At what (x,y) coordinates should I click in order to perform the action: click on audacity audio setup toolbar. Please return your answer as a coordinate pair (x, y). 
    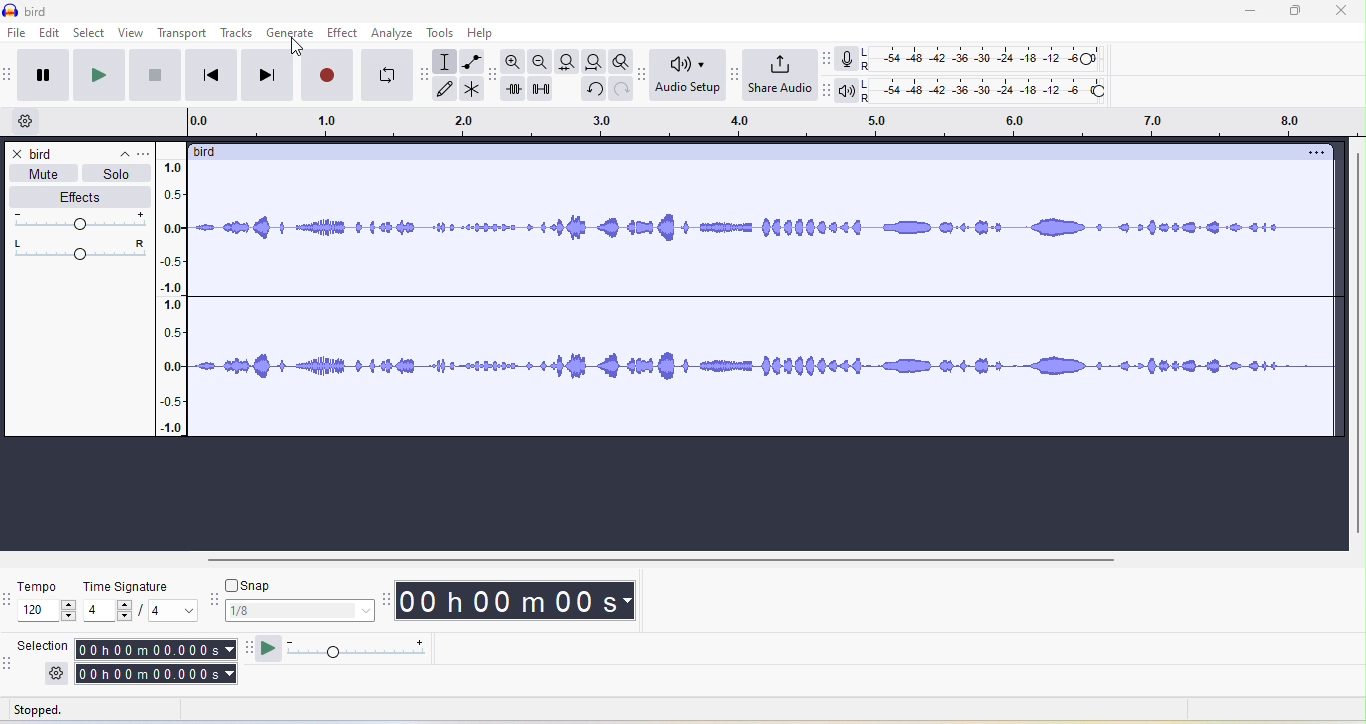
    Looking at the image, I should click on (641, 74).